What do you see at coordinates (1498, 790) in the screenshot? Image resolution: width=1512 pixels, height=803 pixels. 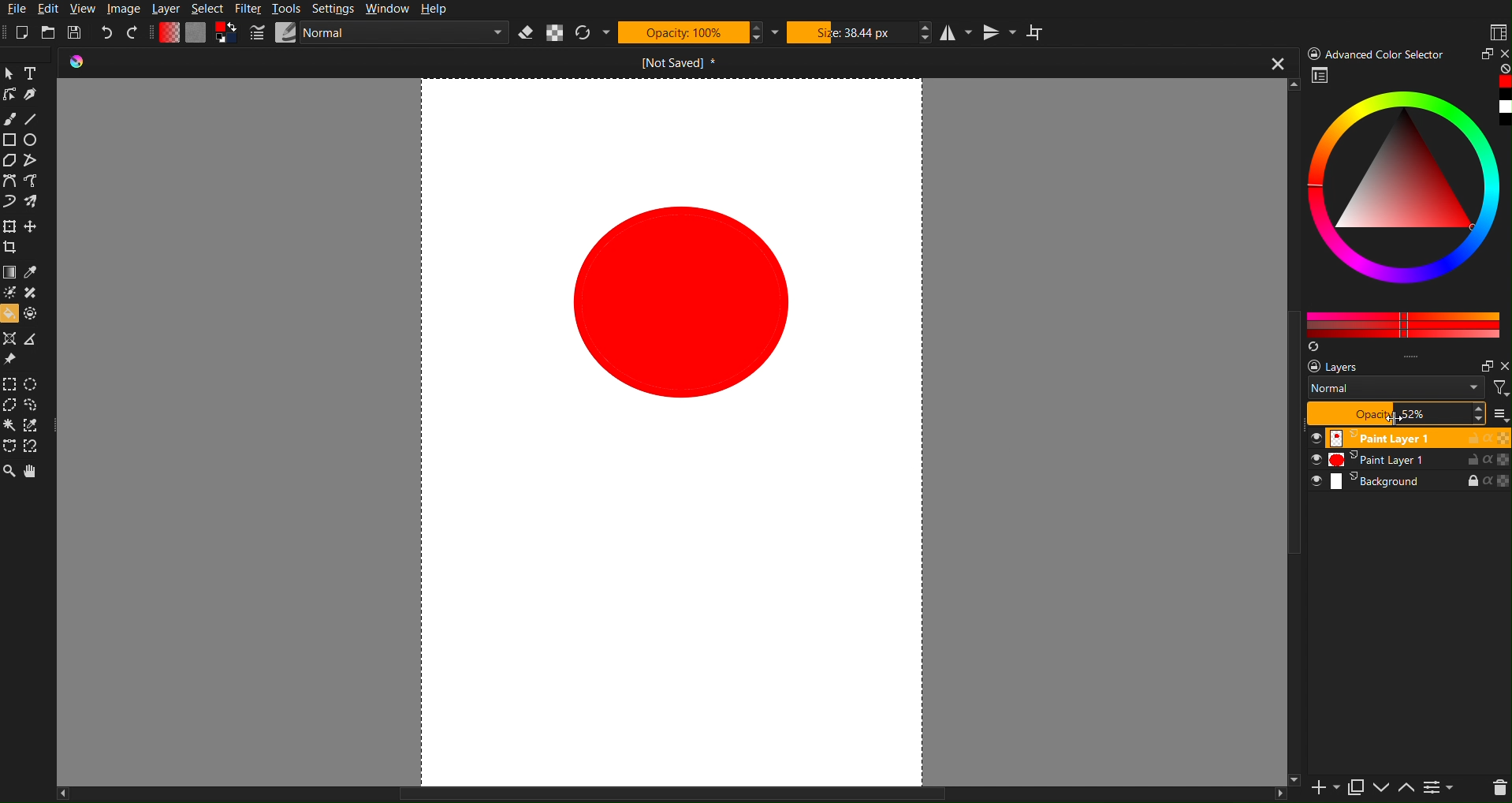 I see `Delete ` at bounding box center [1498, 790].